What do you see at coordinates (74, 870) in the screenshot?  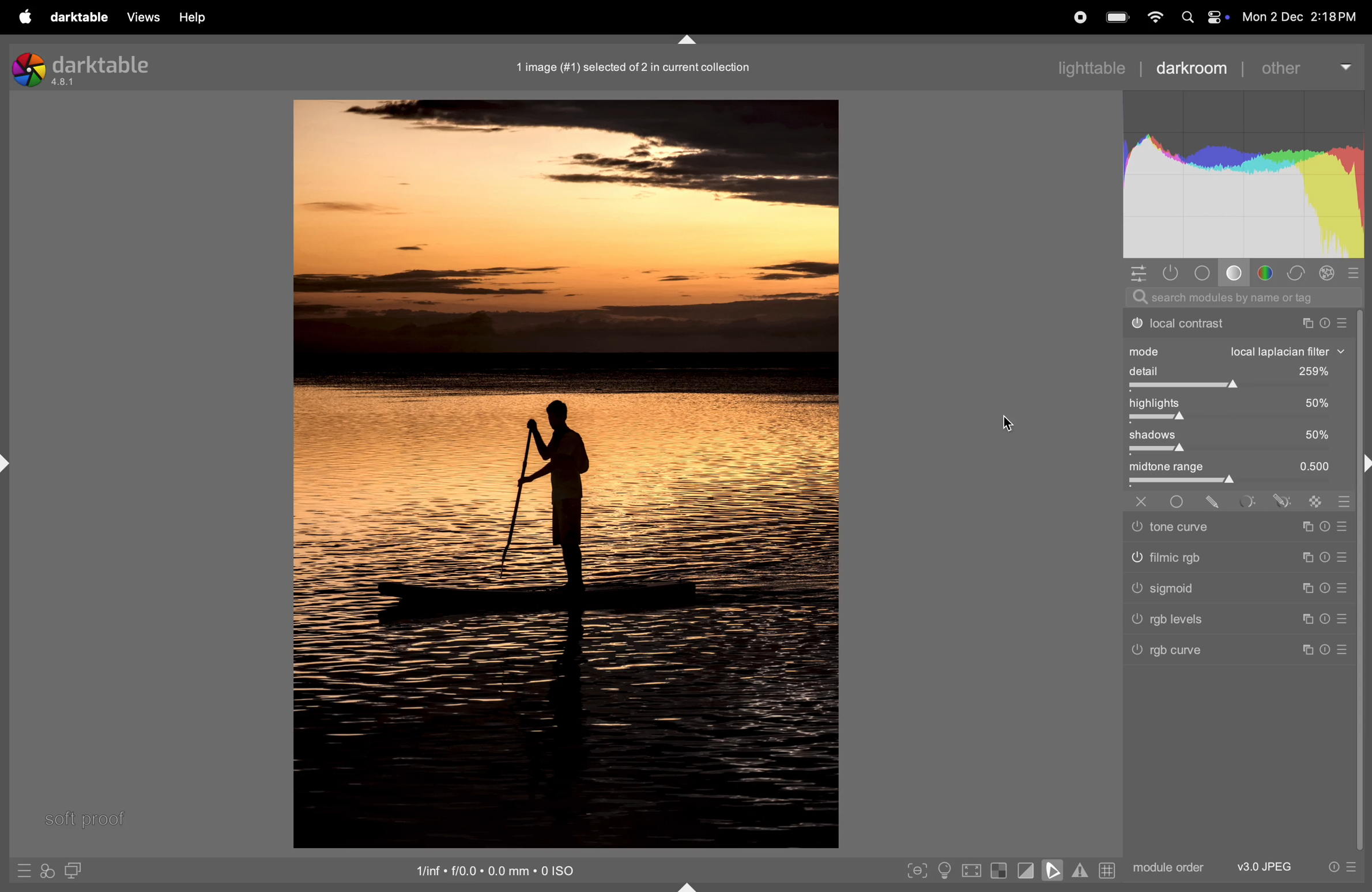 I see `display second image` at bounding box center [74, 870].